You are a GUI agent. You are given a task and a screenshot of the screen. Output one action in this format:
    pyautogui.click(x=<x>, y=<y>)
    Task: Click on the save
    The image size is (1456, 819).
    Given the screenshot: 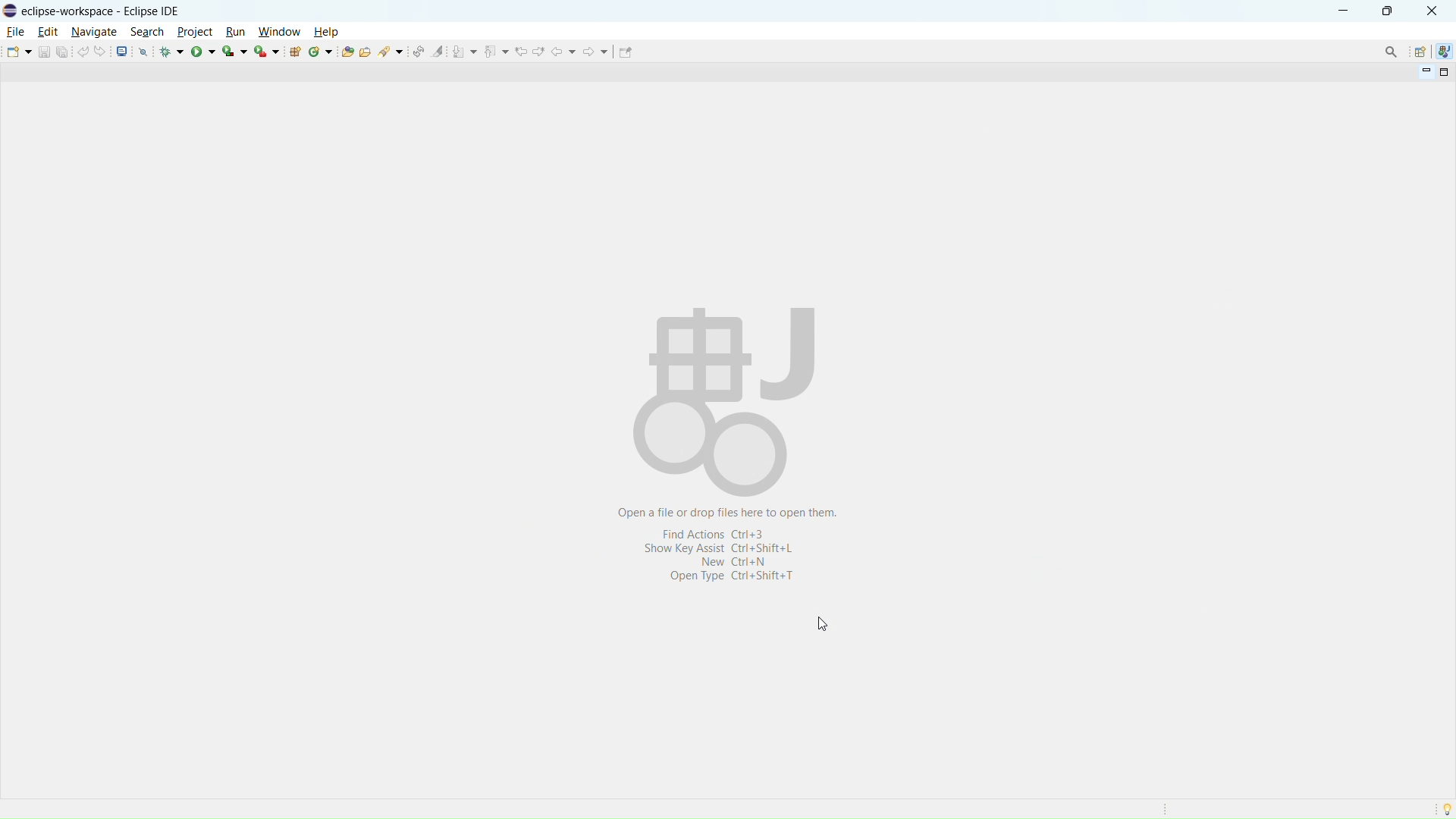 What is the action you would take?
    pyautogui.click(x=43, y=52)
    